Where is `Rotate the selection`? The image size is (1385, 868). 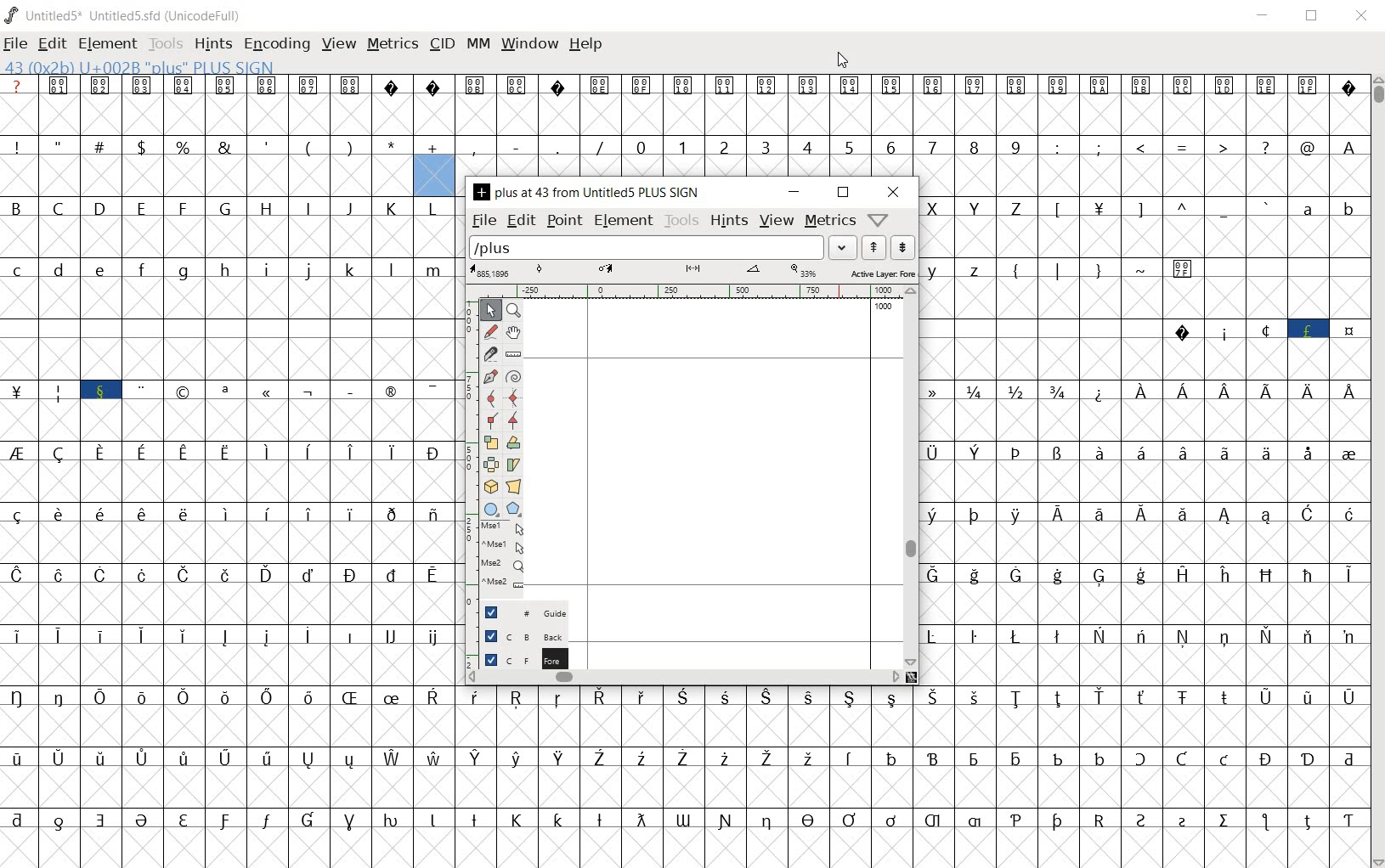
Rotate the selection is located at coordinates (513, 443).